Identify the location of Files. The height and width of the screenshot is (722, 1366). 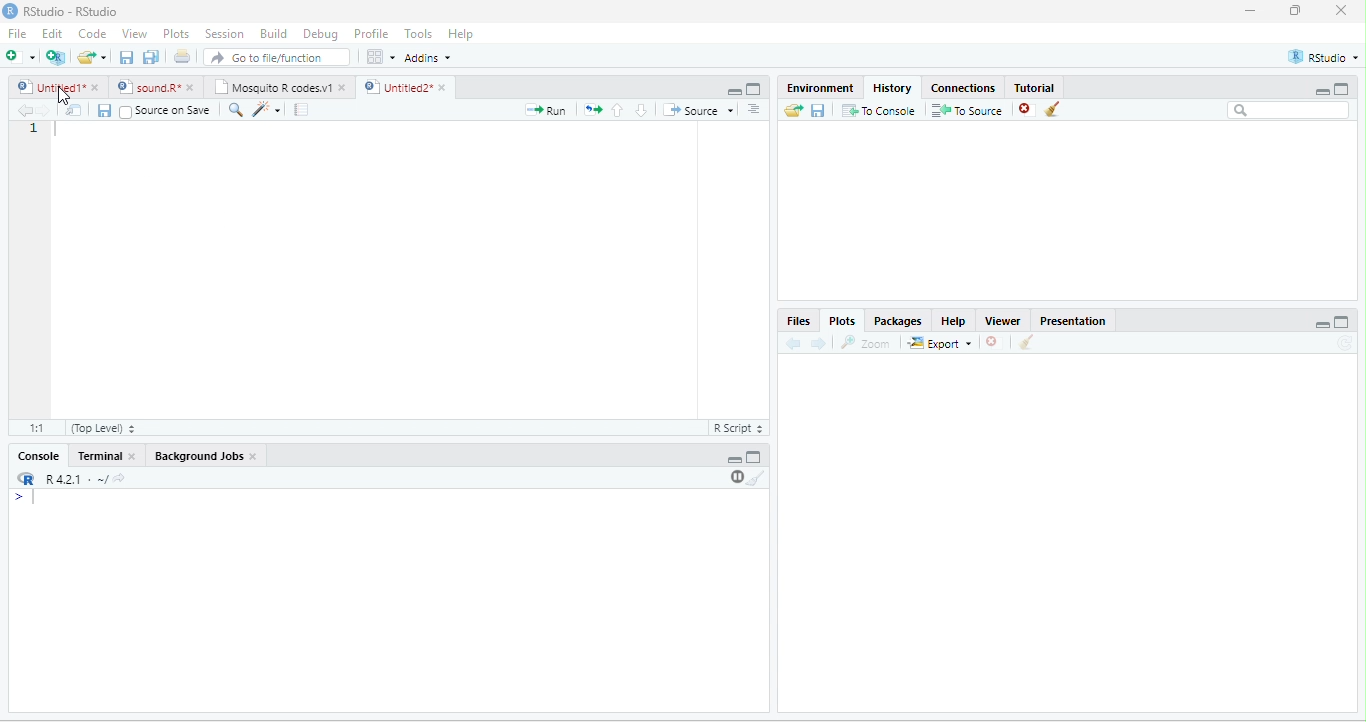
(797, 322).